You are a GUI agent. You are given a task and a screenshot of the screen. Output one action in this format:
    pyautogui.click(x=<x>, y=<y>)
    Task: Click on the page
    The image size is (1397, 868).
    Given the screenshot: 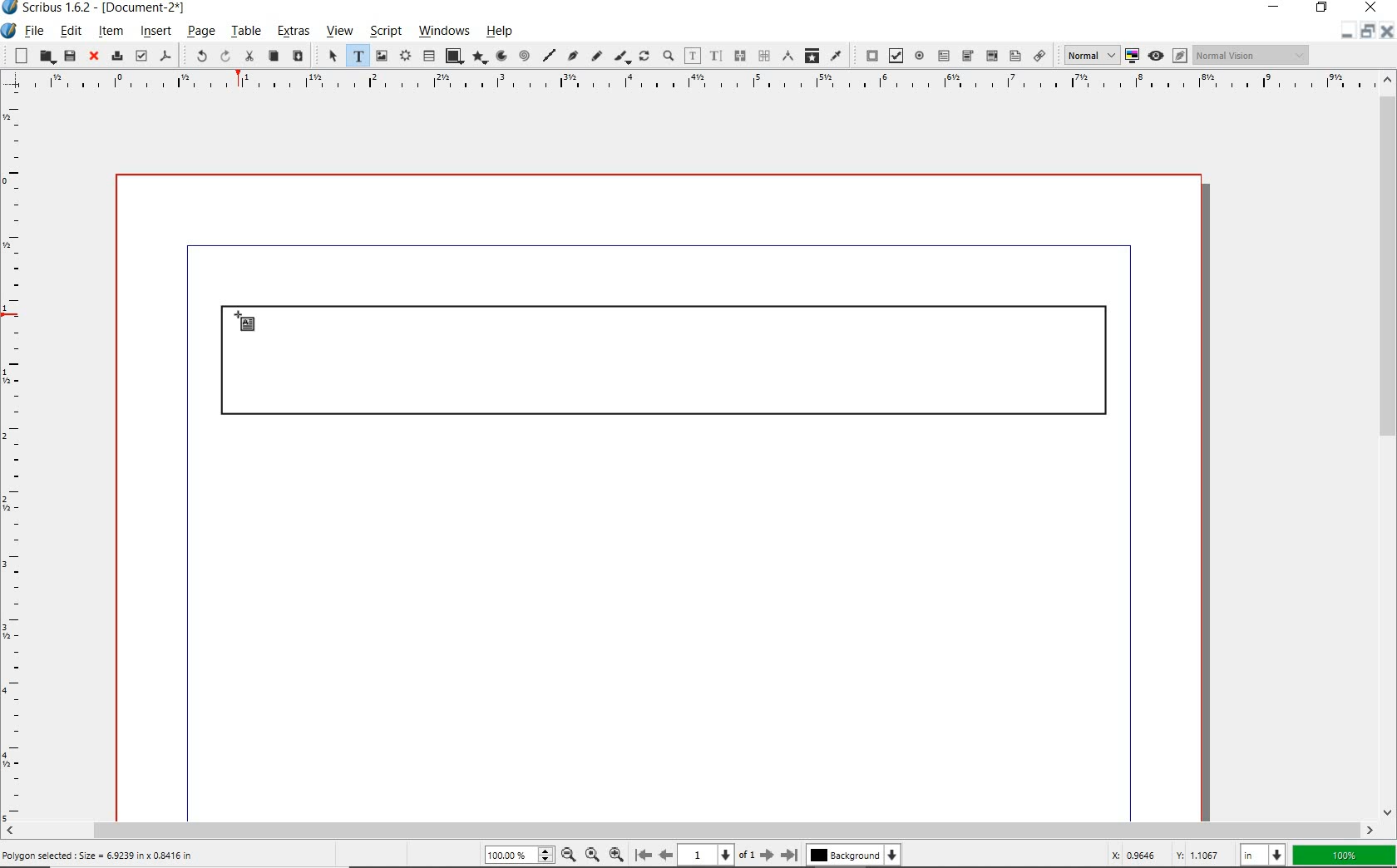 What is the action you would take?
    pyautogui.click(x=201, y=31)
    